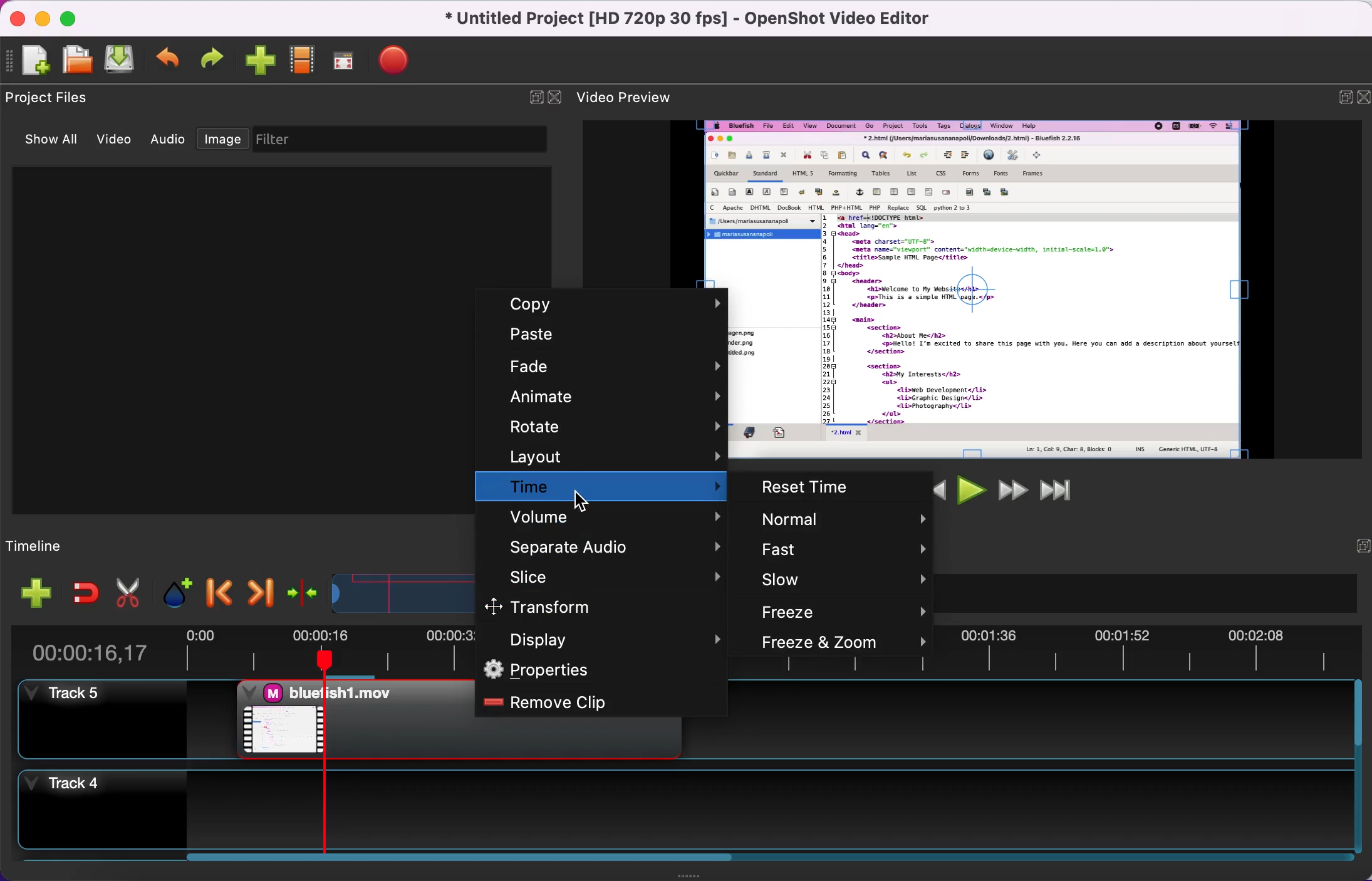  What do you see at coordinates (603, 516) in the screenshot?
I see `volume` at bounding box center [603, 516].